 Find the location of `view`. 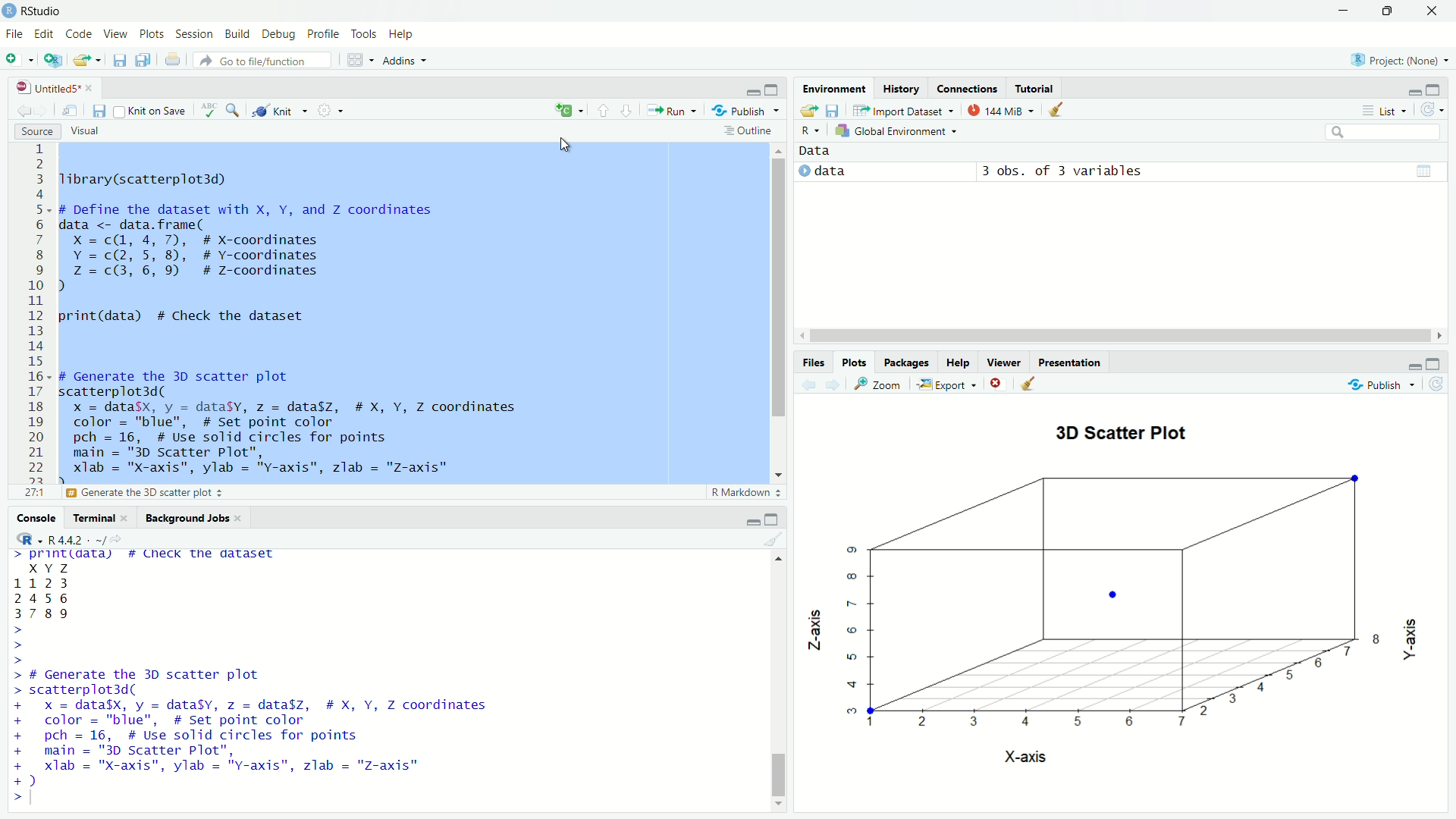

view is located at coordinates (118, 37).